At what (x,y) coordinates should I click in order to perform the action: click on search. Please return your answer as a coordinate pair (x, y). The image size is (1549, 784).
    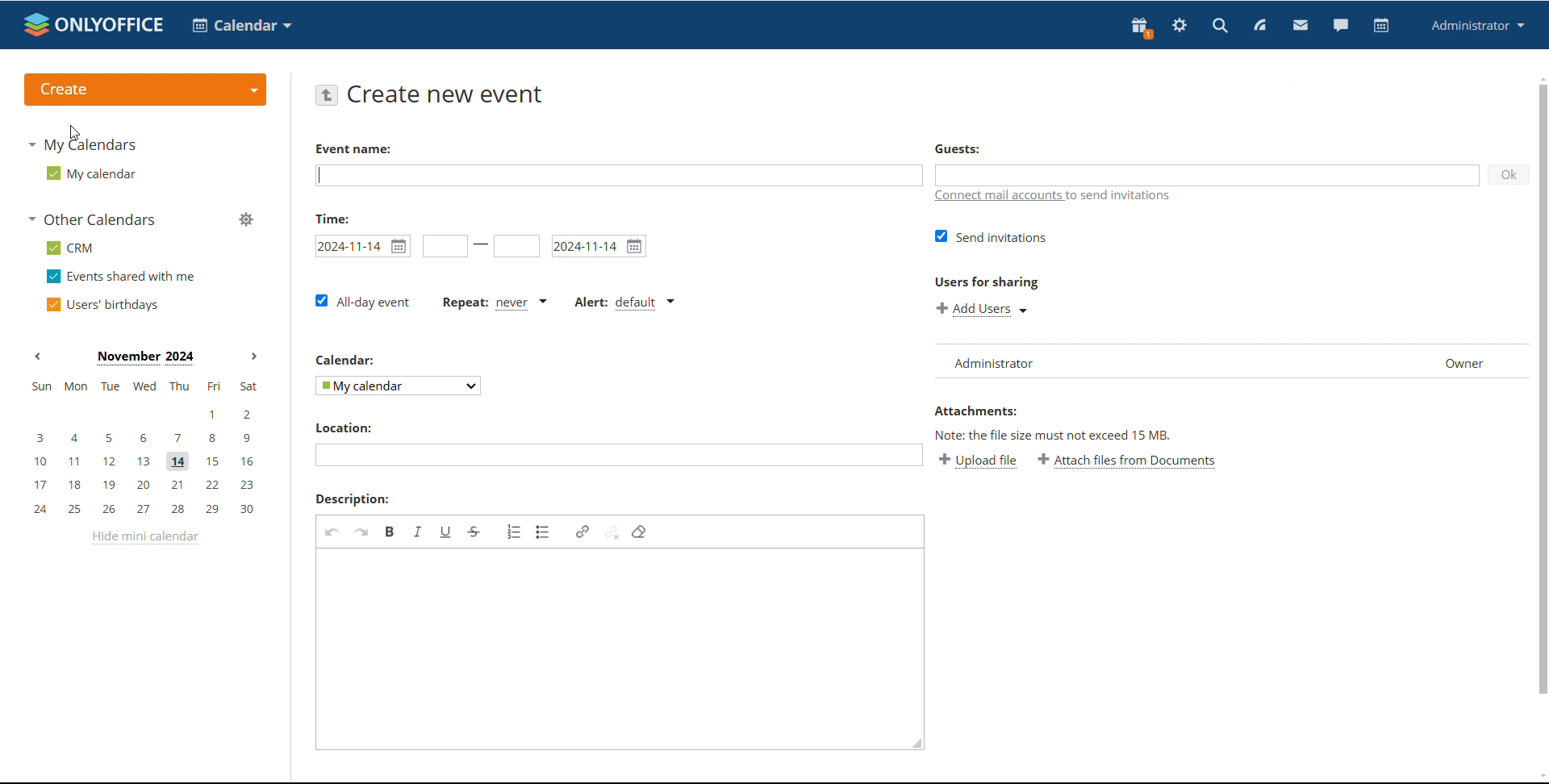
    Looking at the image, I should click on (1219, 27).